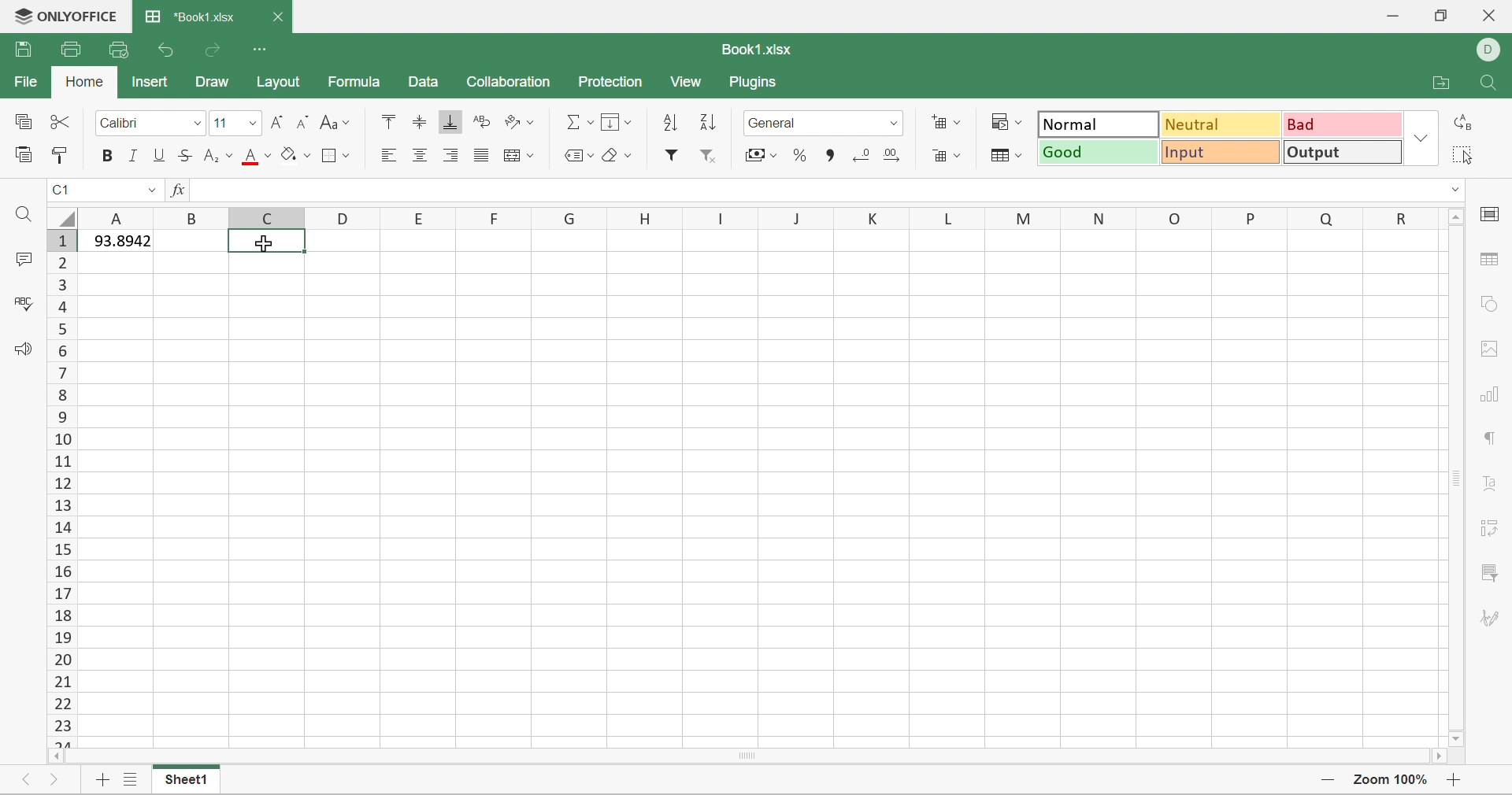 The height and width of the screenshot is (795, 1512). Describe the element at coordinates (387, 154) in the screenshot. I see `Align Left` at that location.